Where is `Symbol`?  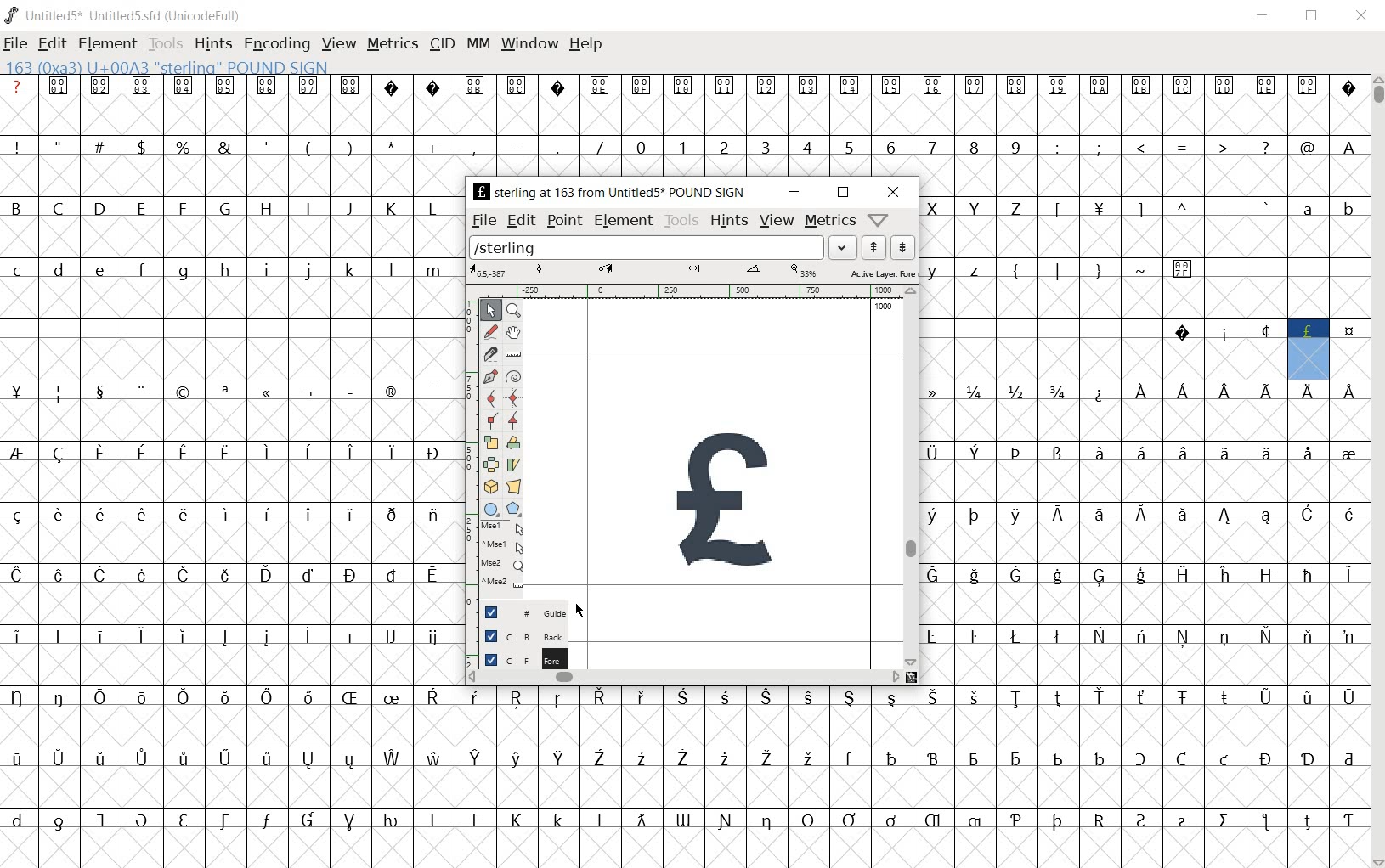
Symbol is located at coordinates (601, 699).